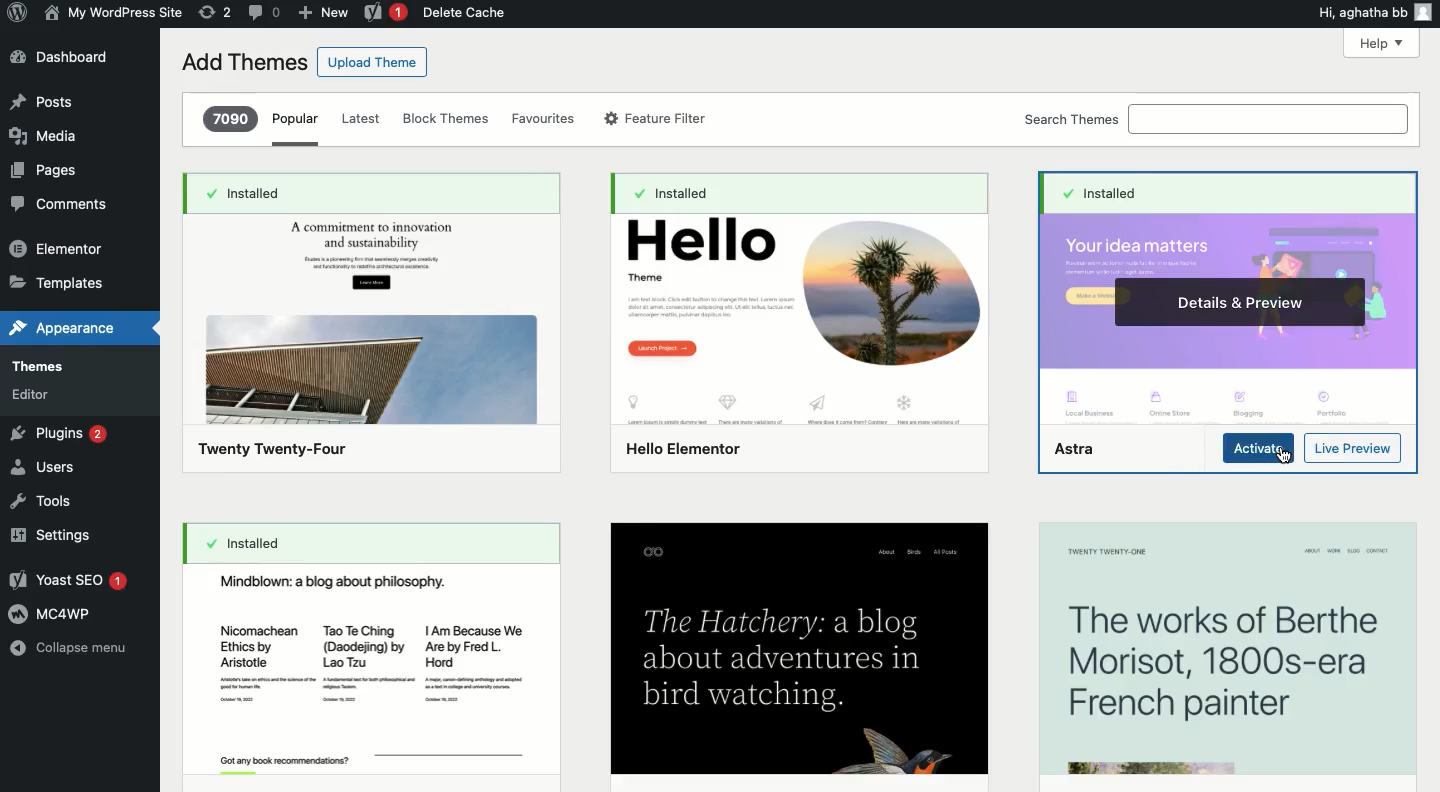  I want to click on Media, so click(49, 133).